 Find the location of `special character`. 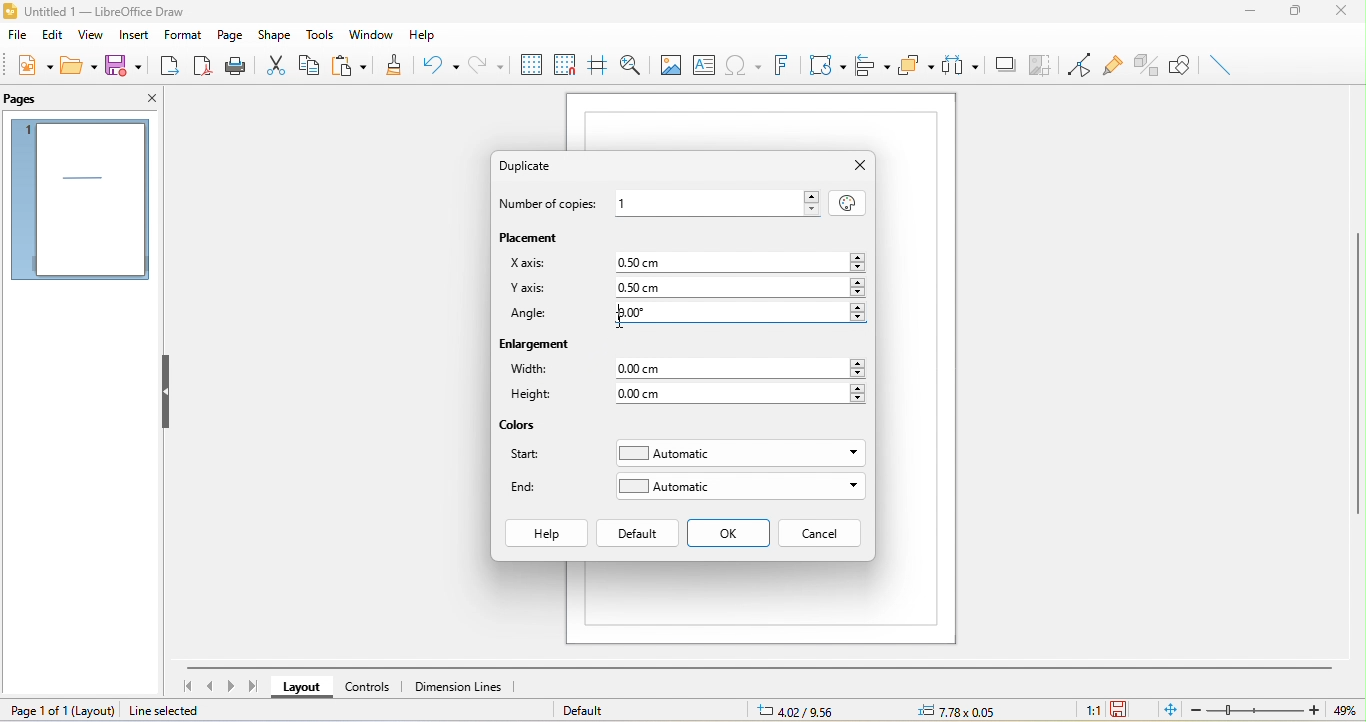

special character is located at coordinates (742, 64).